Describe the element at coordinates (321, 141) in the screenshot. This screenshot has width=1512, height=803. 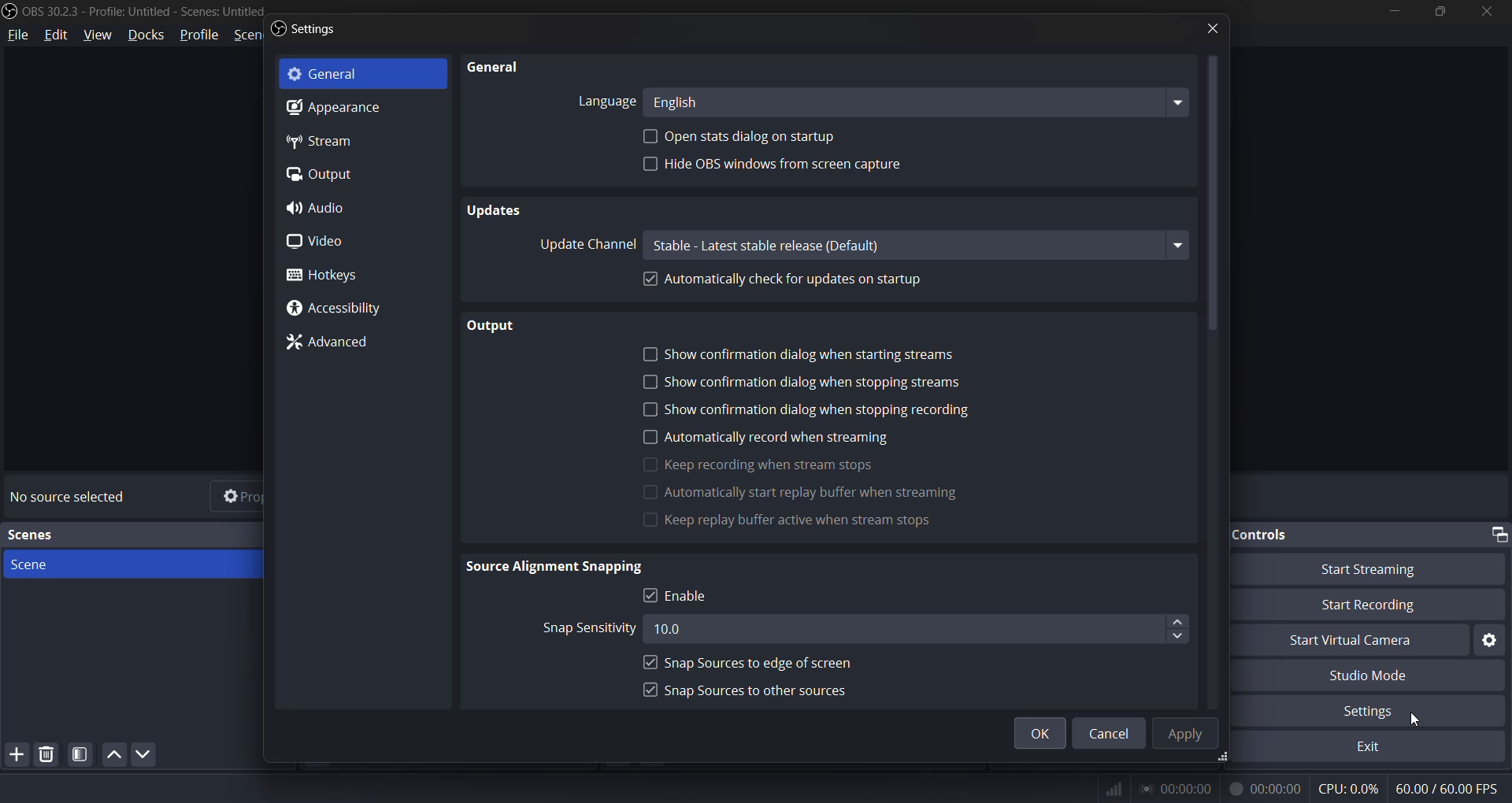
I see `stream` at that location.